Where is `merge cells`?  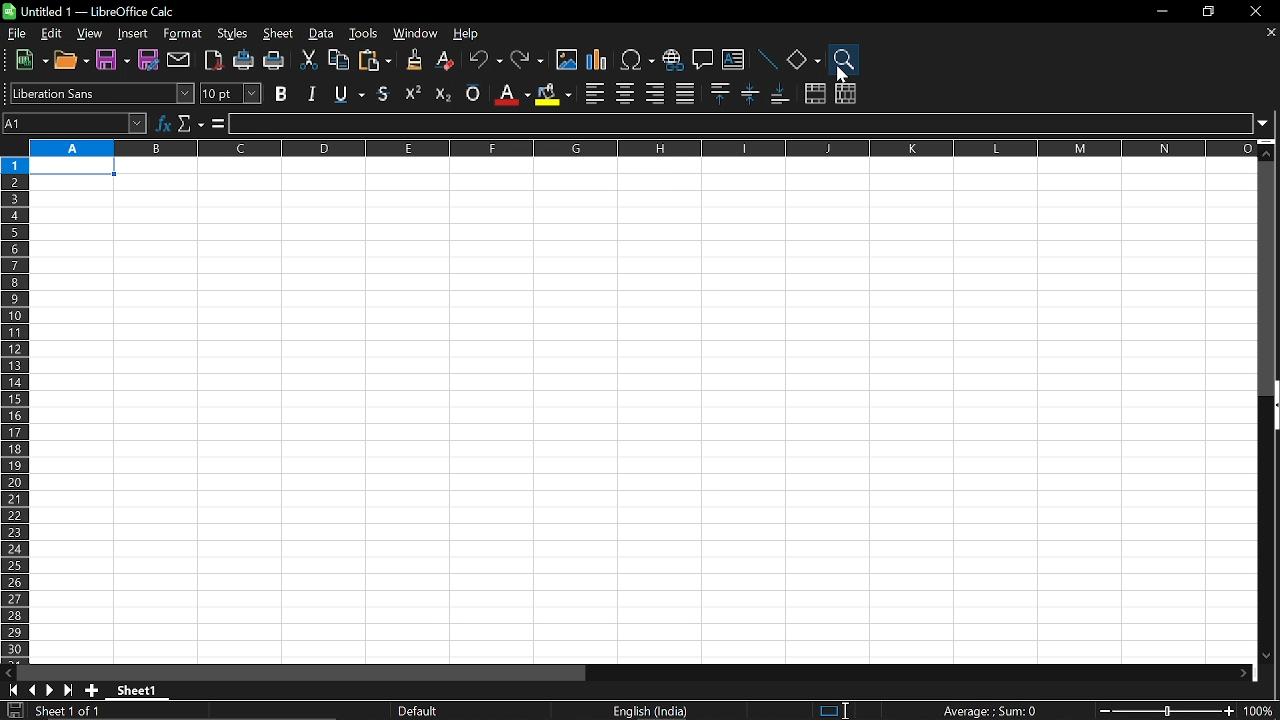
merge cells is located at coordinates (815, 95).